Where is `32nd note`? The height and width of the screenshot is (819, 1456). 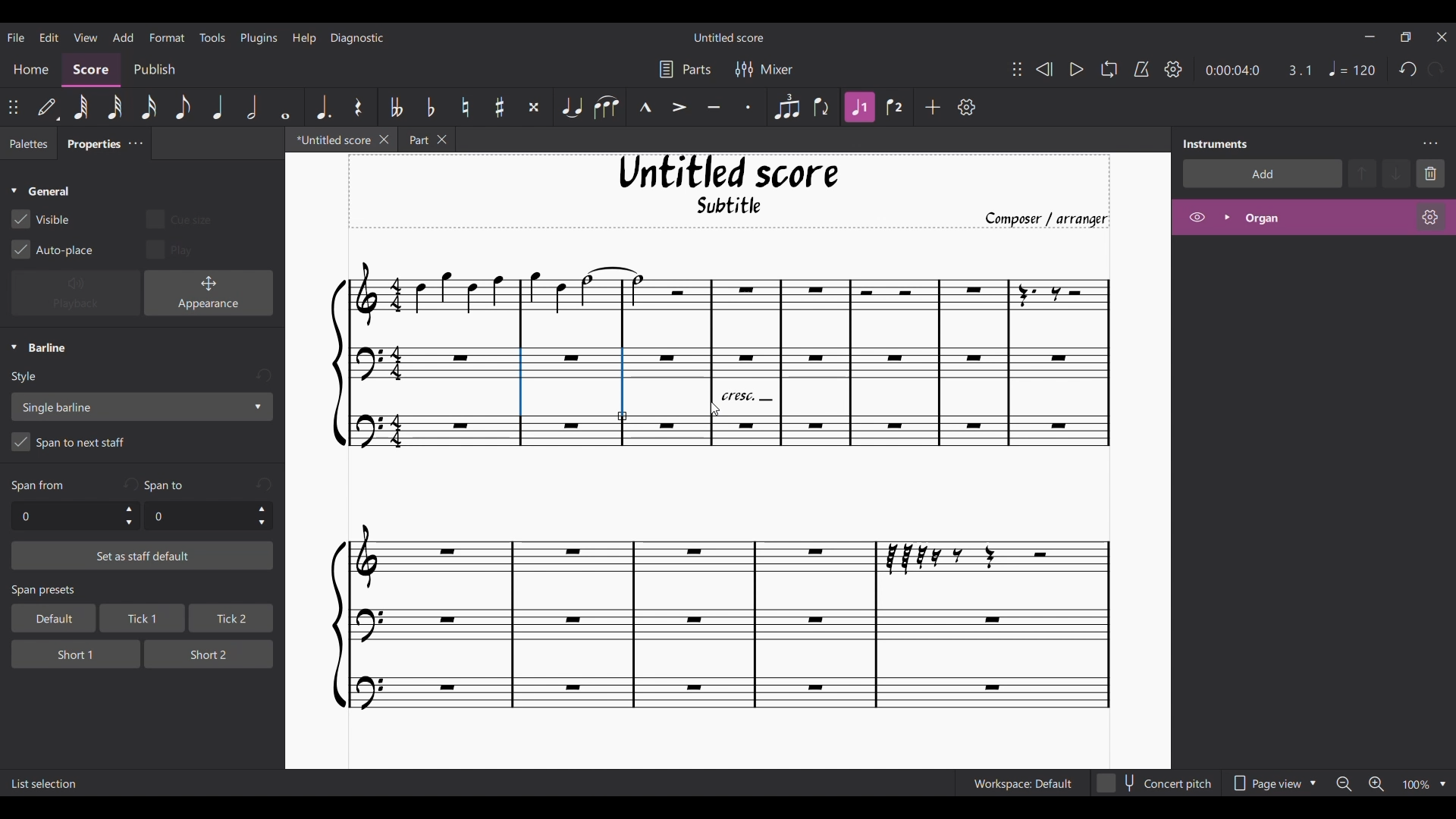 32nd note is located at coordinates (116, 108).